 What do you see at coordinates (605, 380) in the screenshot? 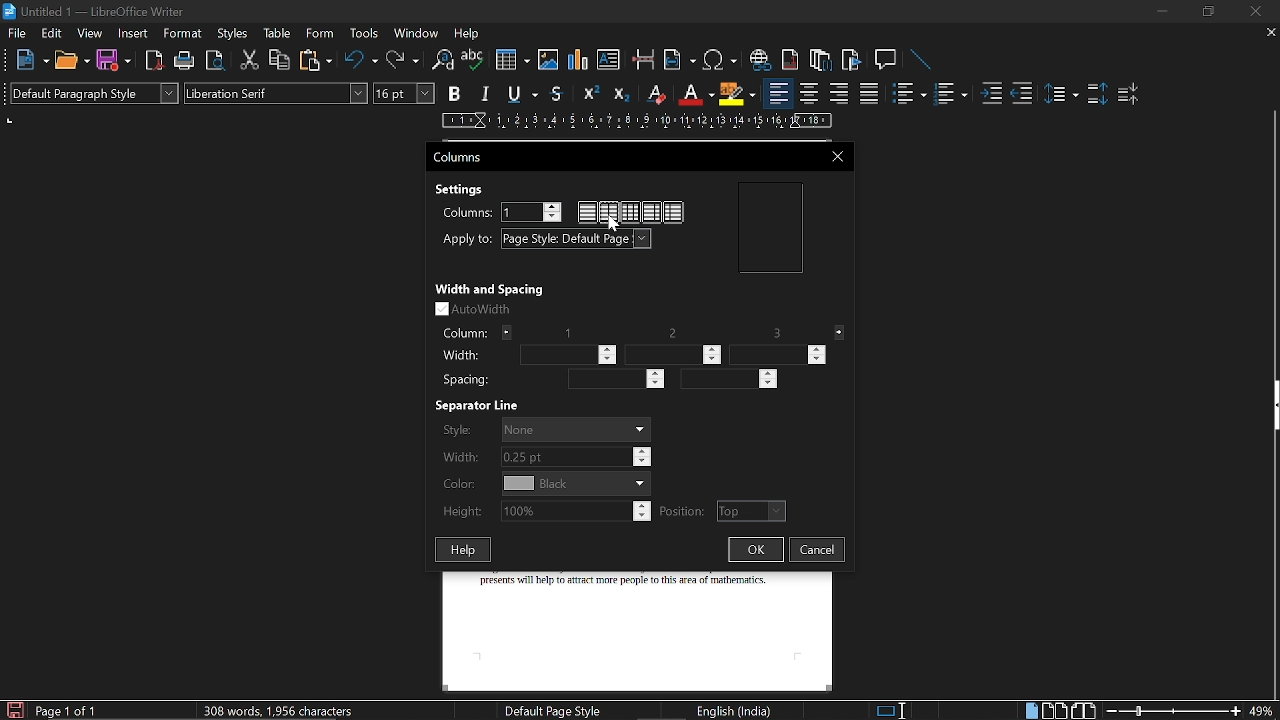
I see `Spacing 1` at bounding box center [605, 380].